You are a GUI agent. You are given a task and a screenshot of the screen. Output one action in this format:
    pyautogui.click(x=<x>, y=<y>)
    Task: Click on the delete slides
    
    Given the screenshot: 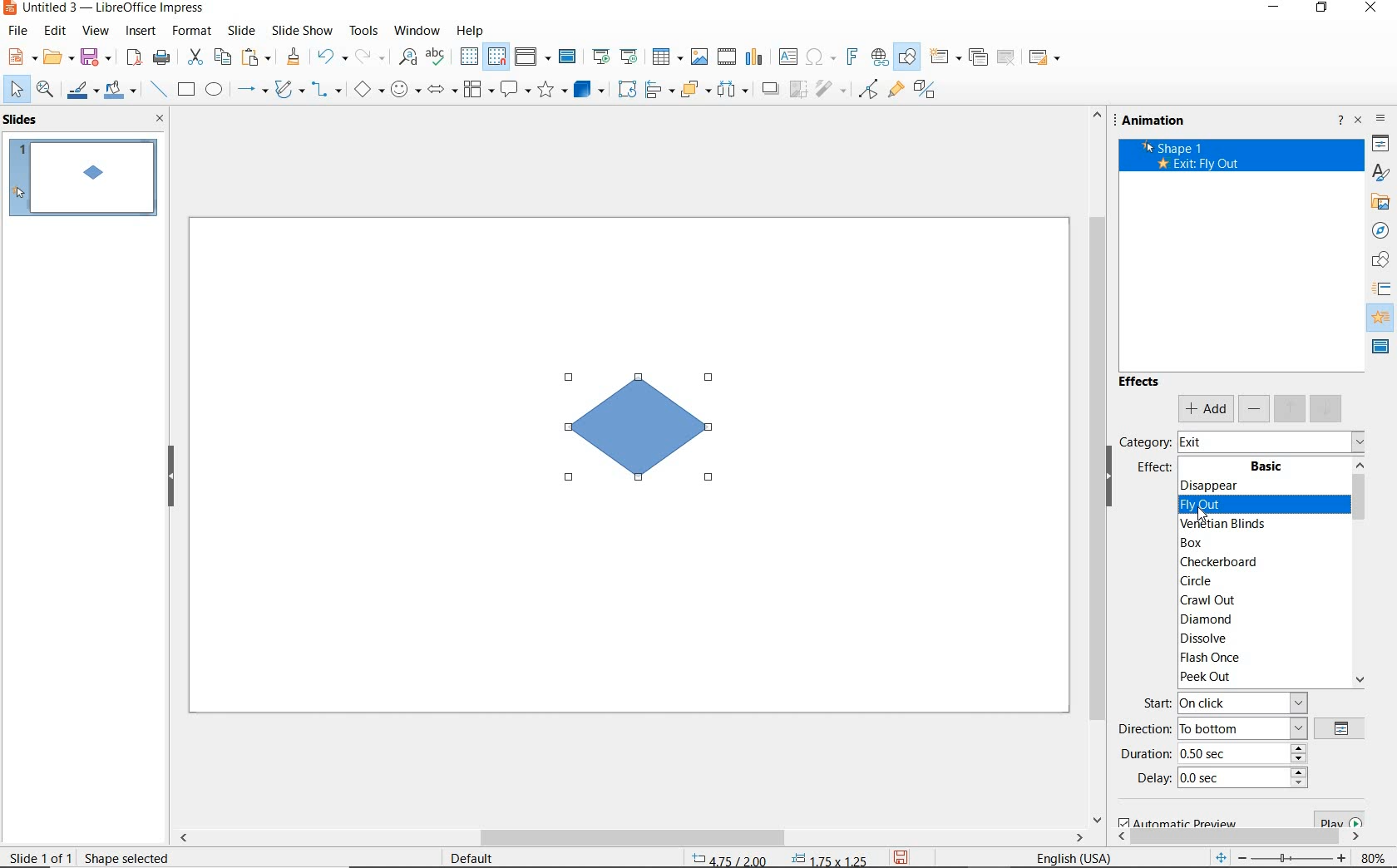 What is the action you would take?
    pyautogui.click(x=1007, y=57)
    